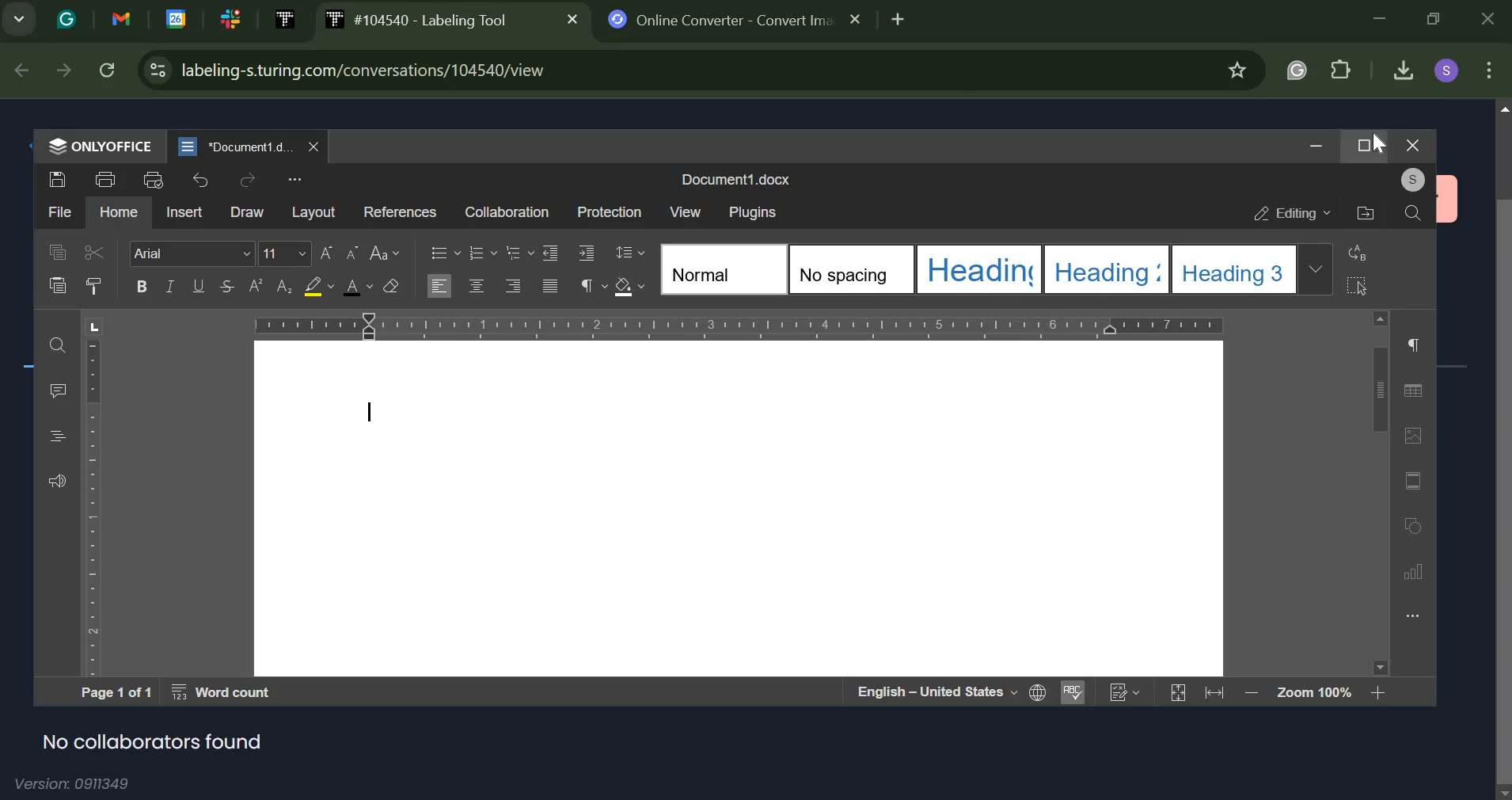 This screenshot has width=1512, height=800. I want to click on decrease font size , so click(351, 253).